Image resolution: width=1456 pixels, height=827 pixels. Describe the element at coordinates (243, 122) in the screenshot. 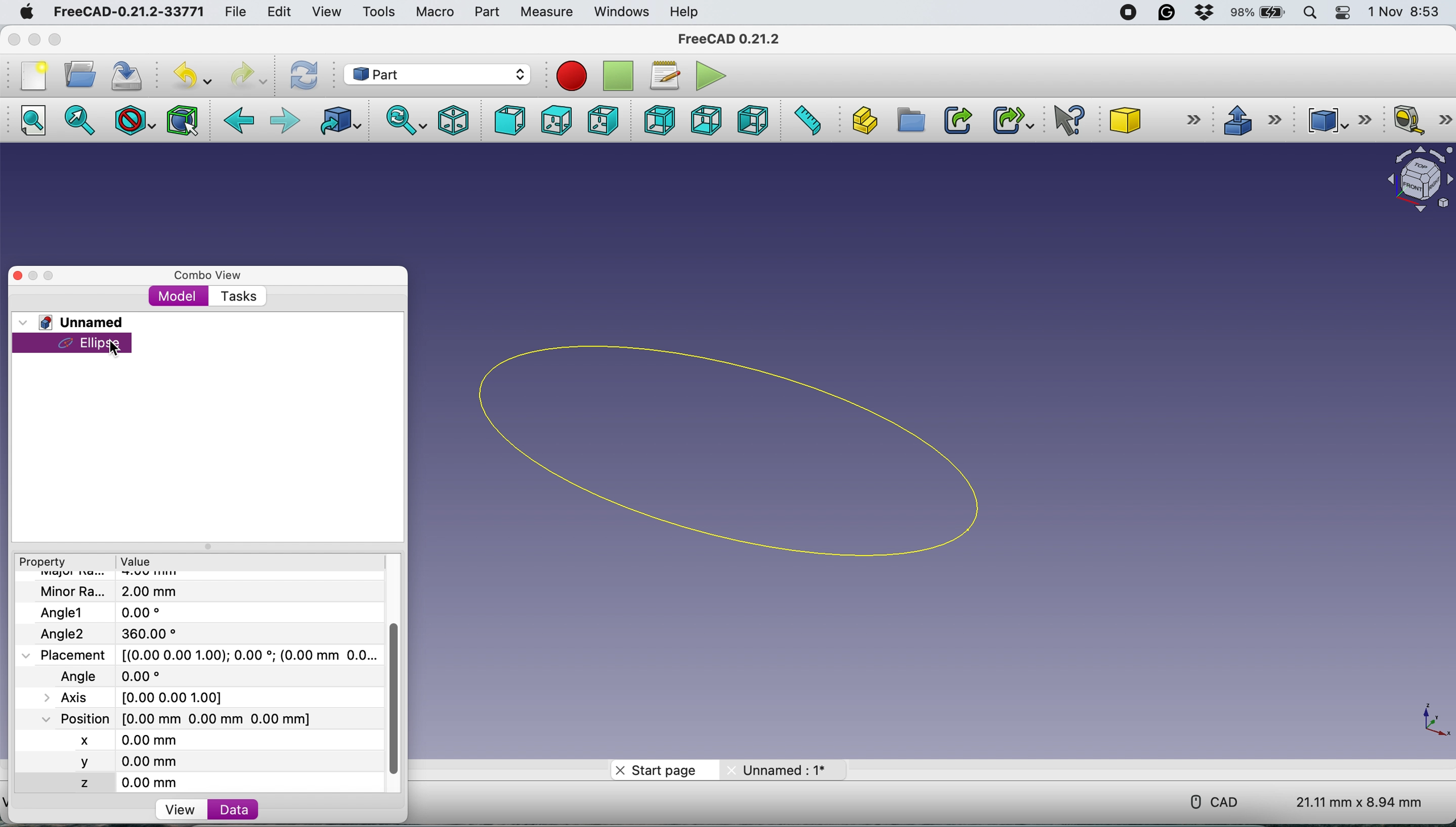

I see `backward` at that location.